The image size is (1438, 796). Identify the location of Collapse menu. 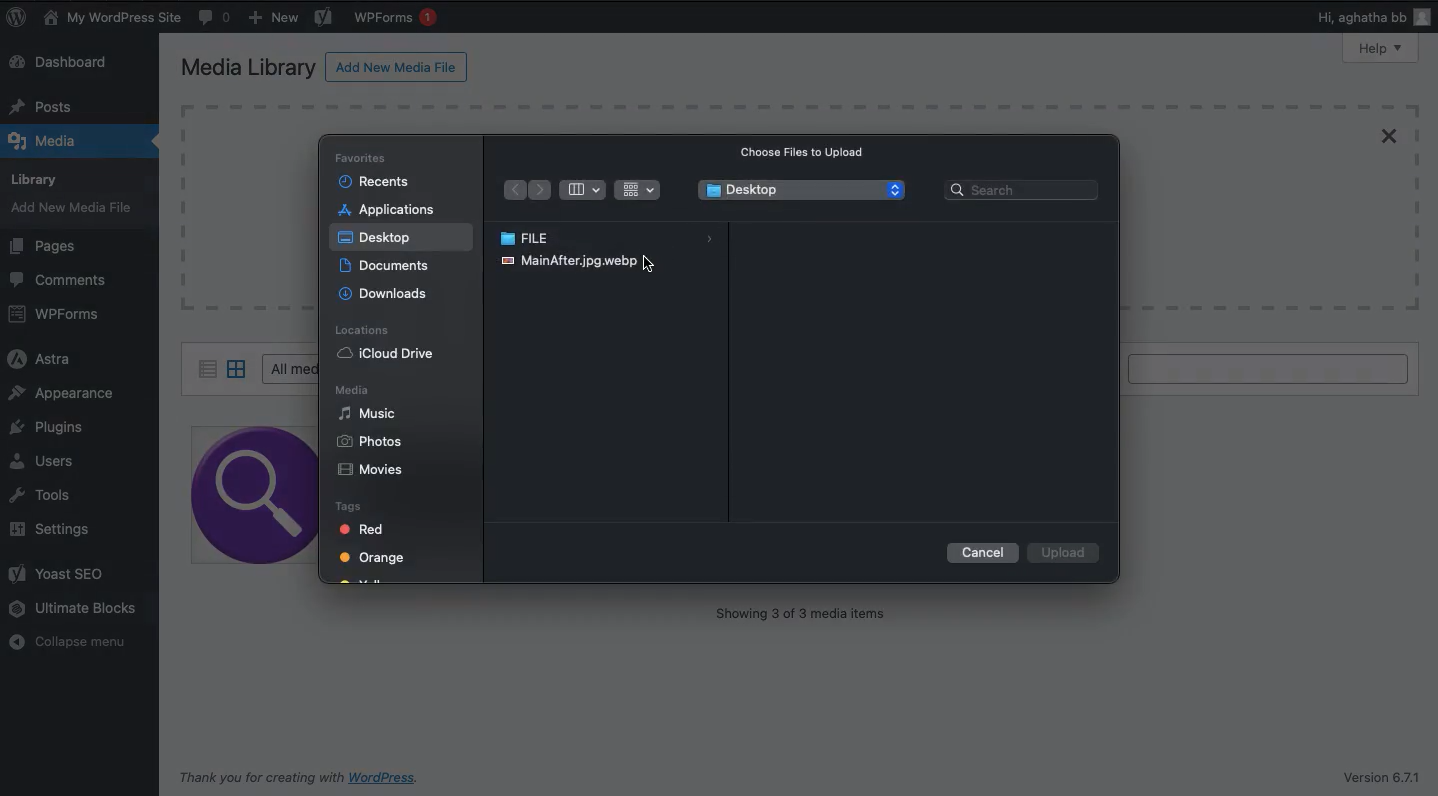
(71, 641).